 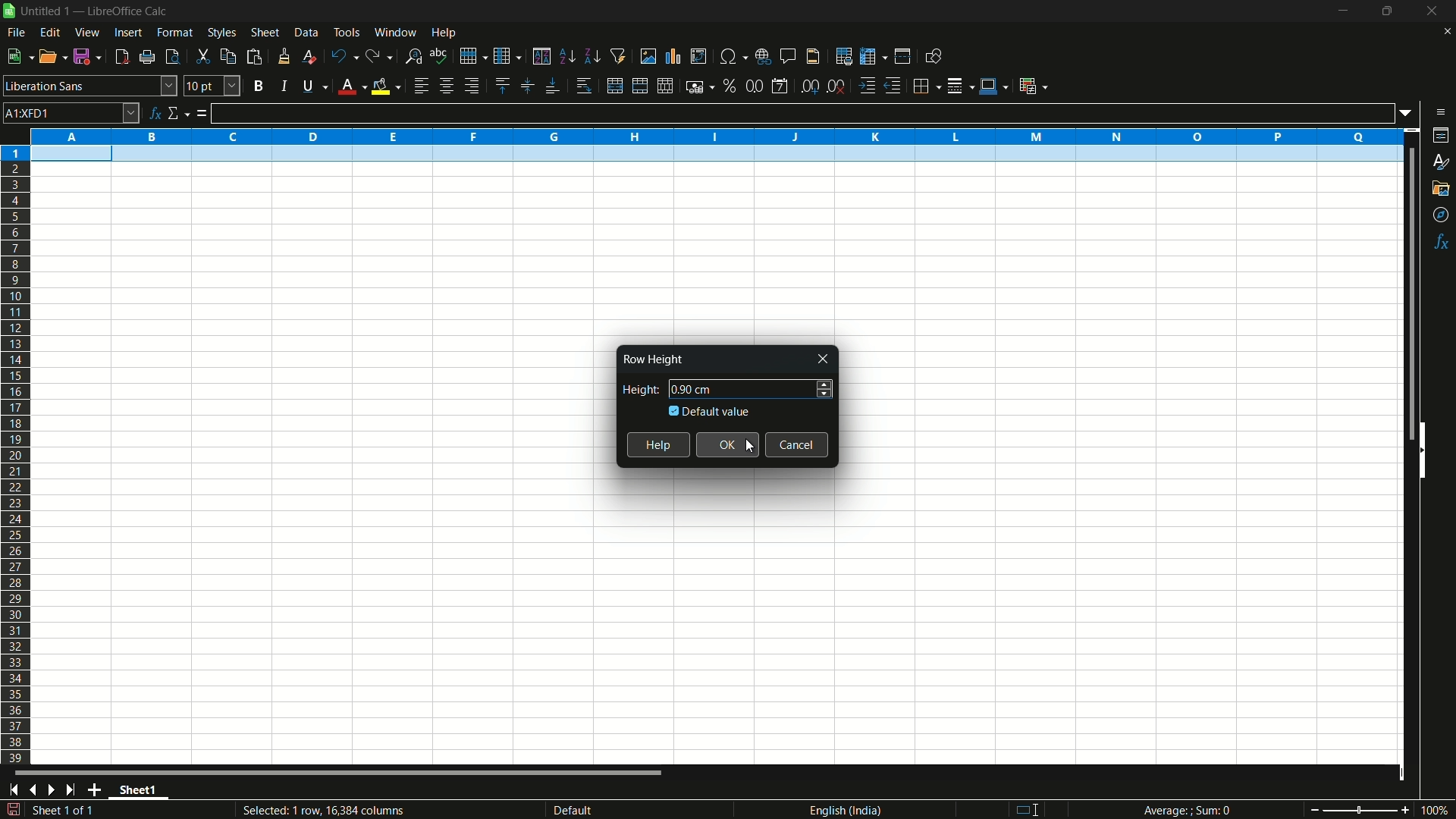 What do you see at coordinates (1445, 35) in the screenshot?
I see `close current sheet` at bounding box center [1445, 35].